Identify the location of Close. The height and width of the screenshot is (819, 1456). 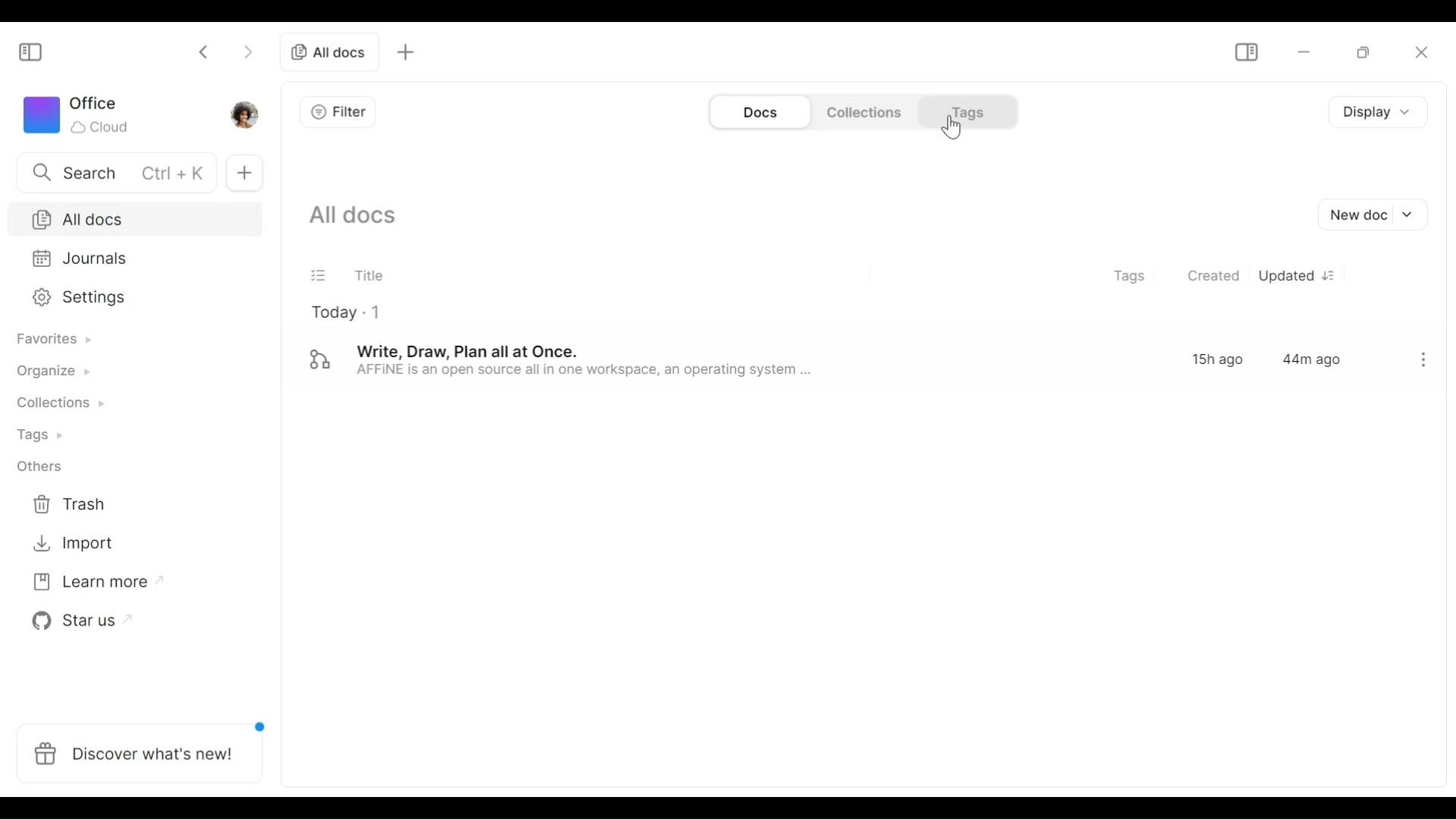
(1423, 51).